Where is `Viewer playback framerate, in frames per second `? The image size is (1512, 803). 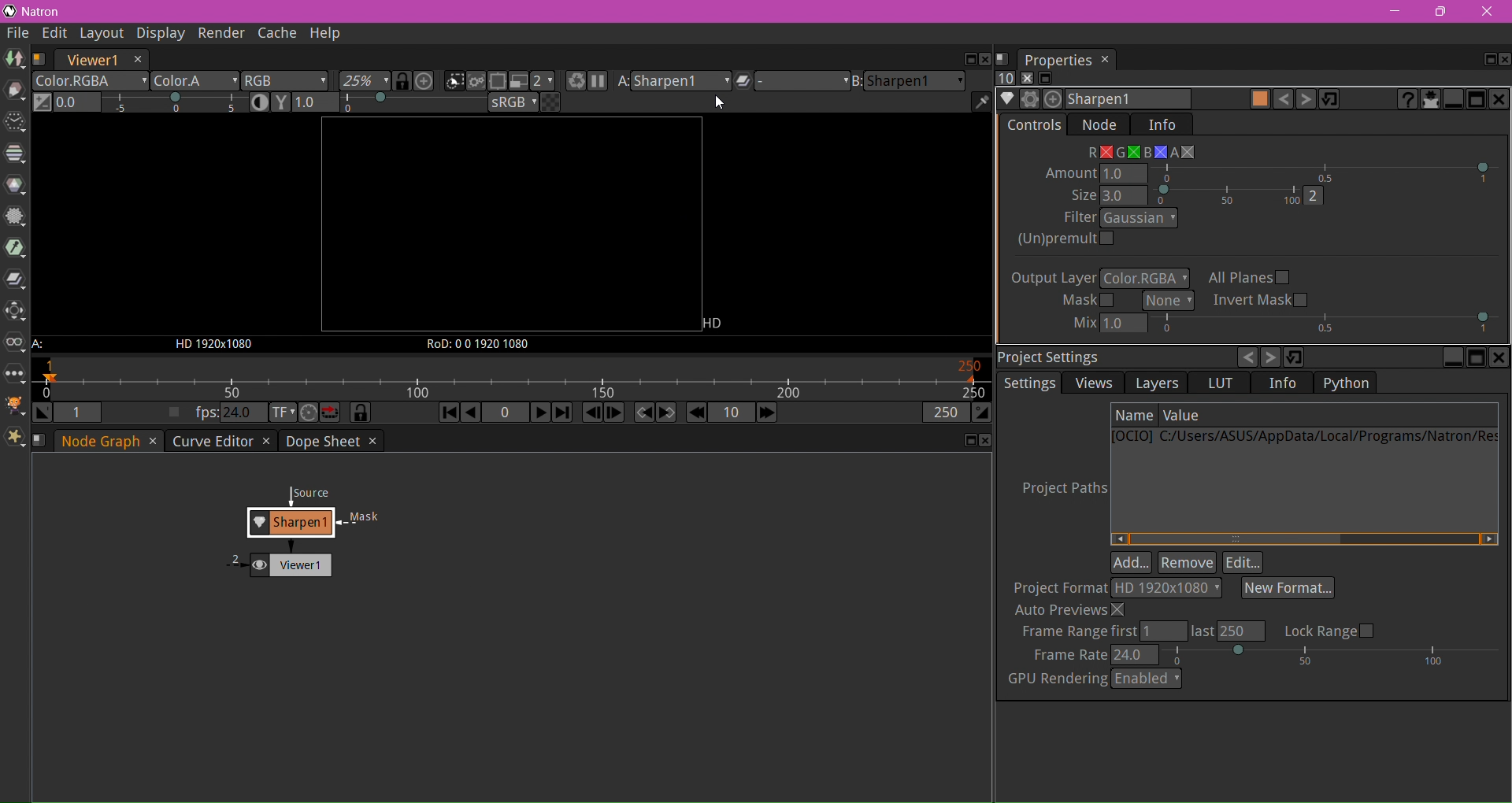
Viewer playback framerate, in frames per second  is located at coordinates (228, 413).